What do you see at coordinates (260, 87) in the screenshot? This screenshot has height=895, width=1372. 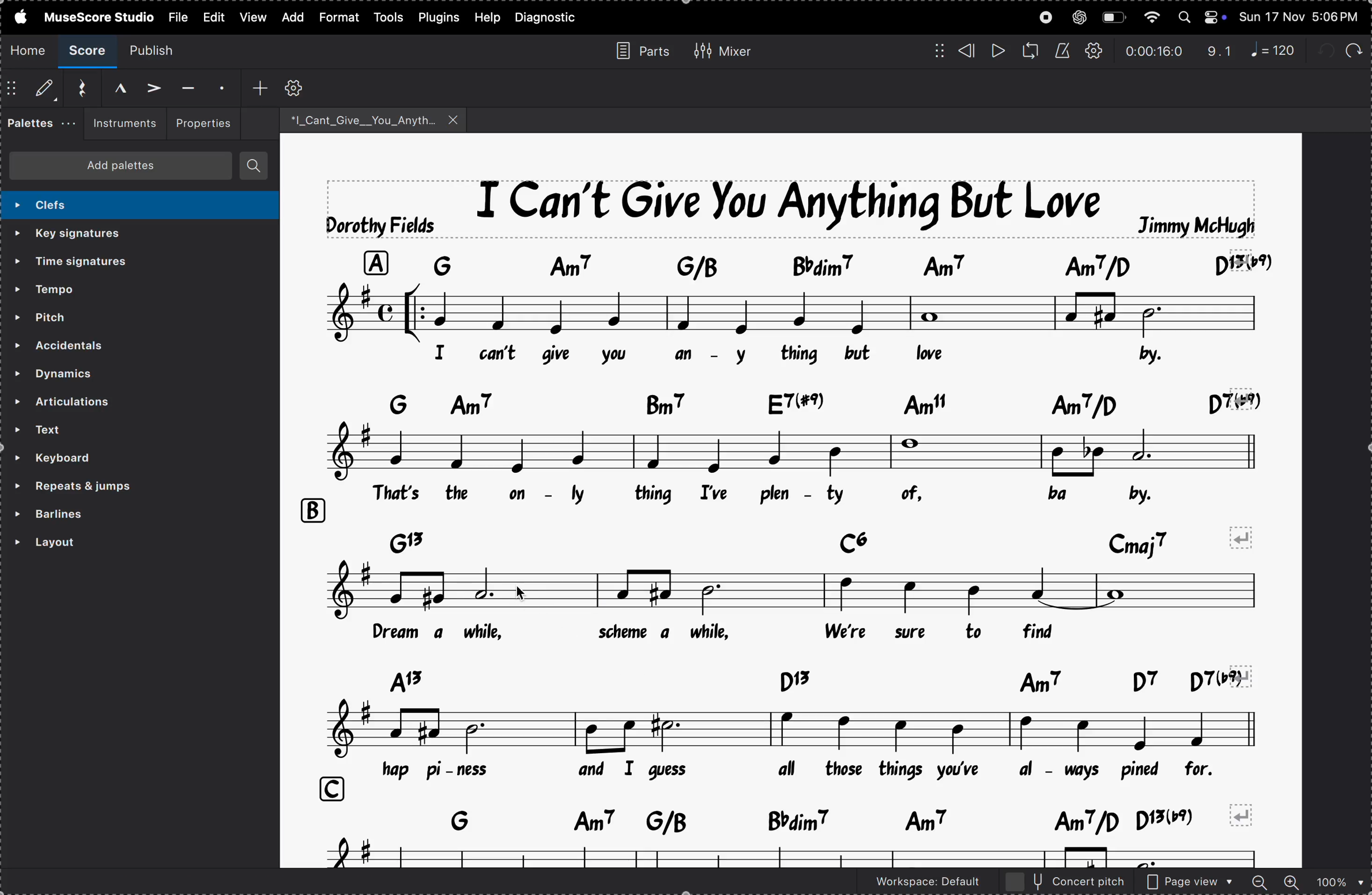 I see `add` at bounding box center [260, 87].